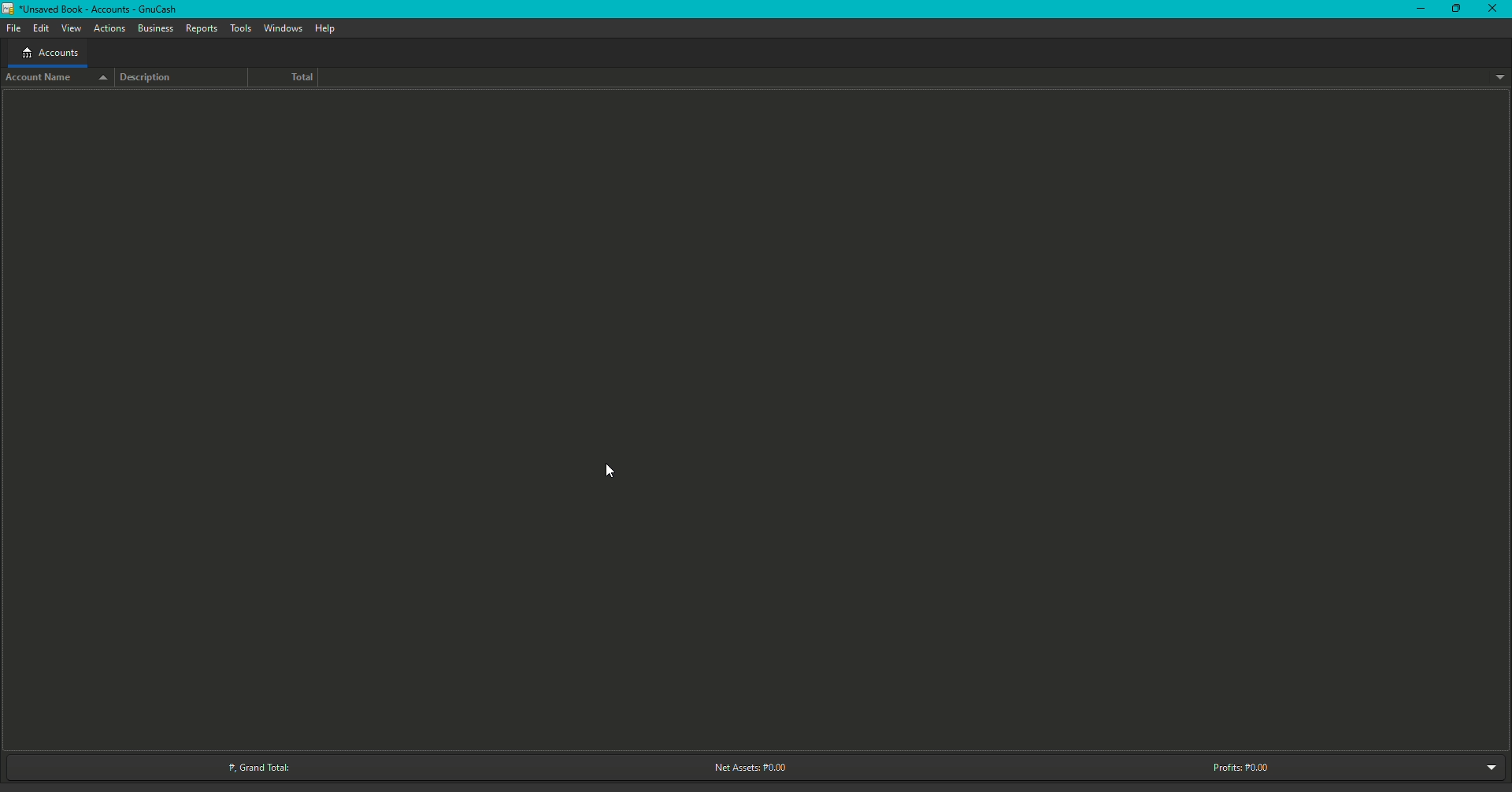 The height and width of the screenshot is (792, 1512). Describe the element at coordinates (293, 77) in the screenshot. I see `Total` at that location.